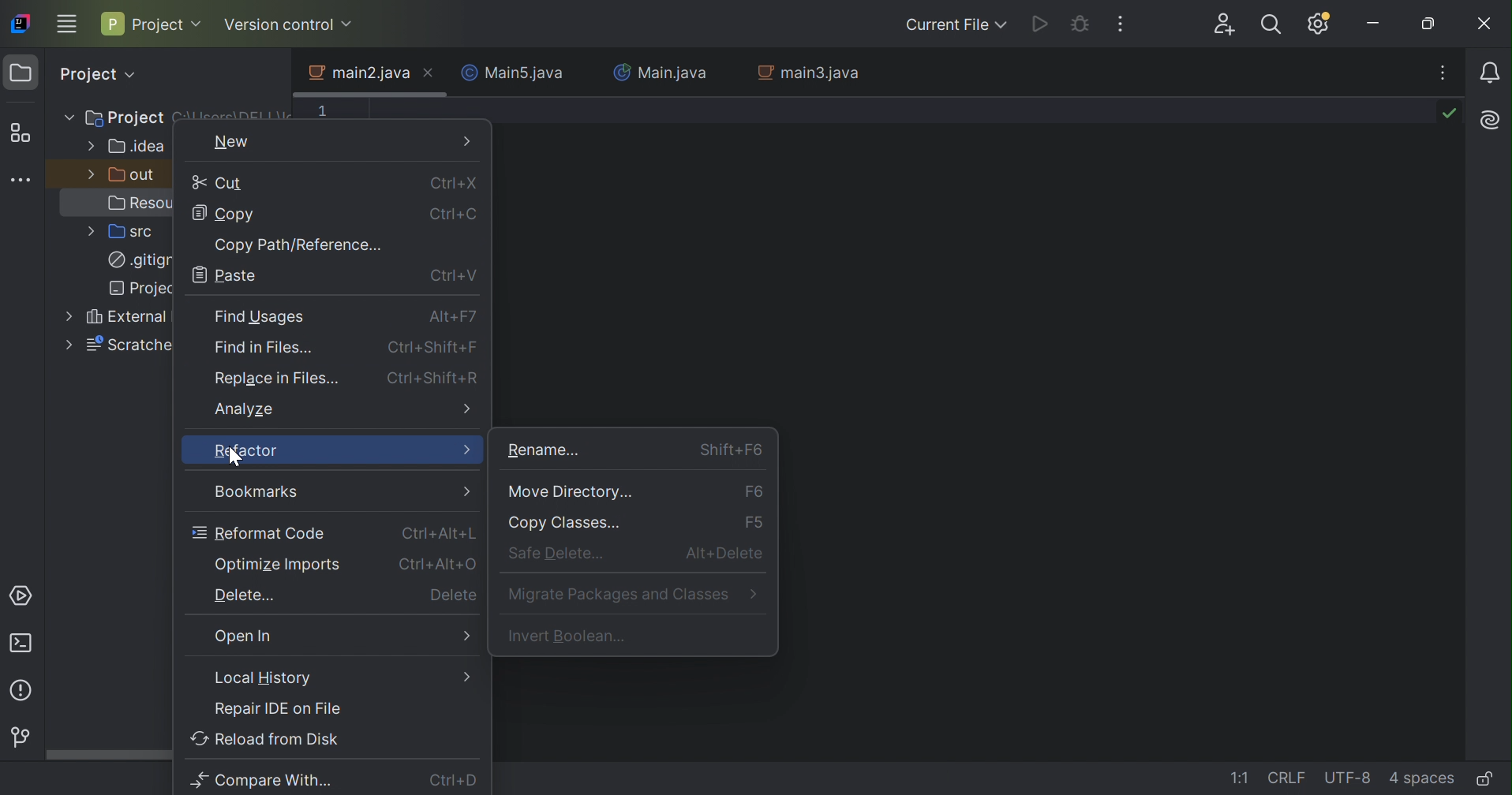 The width and height of the screenshot is (1512, 795). Describe the element at coordinates (727, 552) in the screenshot. I see `Alt+Delete` at that location.